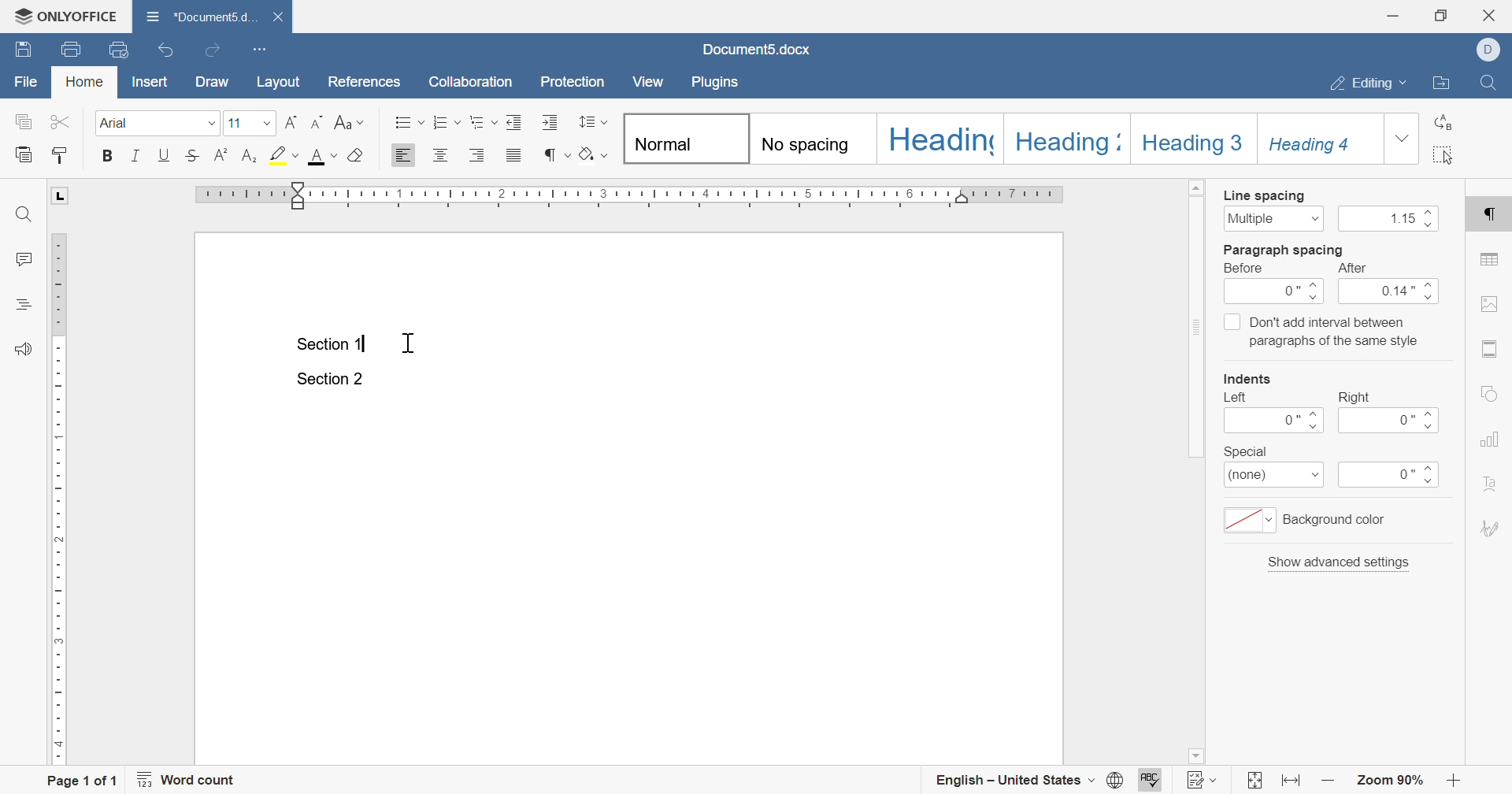 This screenshot has width=1512, height=794. I want to click on line spacing, so click(1265, 196).